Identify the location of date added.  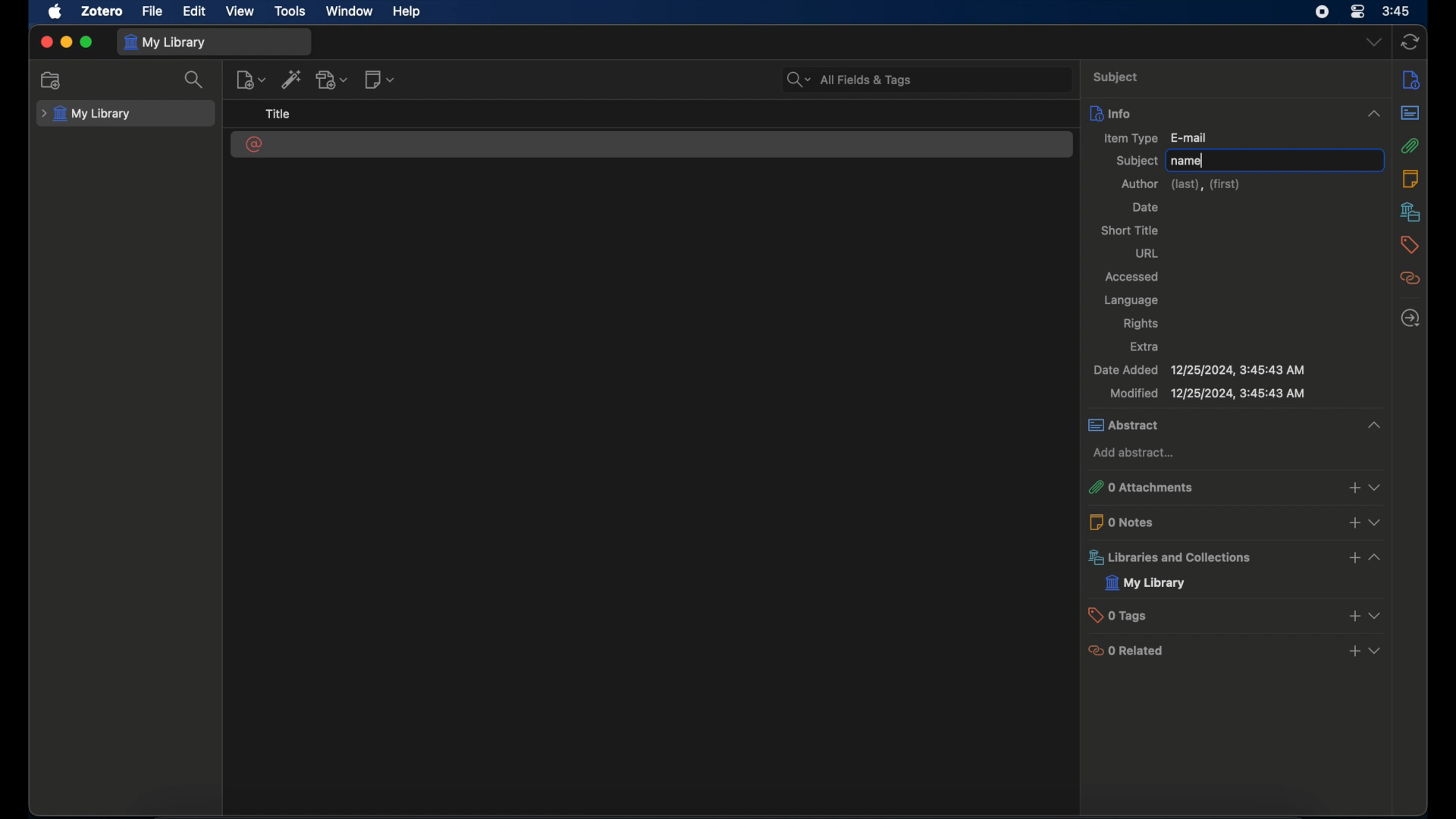
(1200, 370).